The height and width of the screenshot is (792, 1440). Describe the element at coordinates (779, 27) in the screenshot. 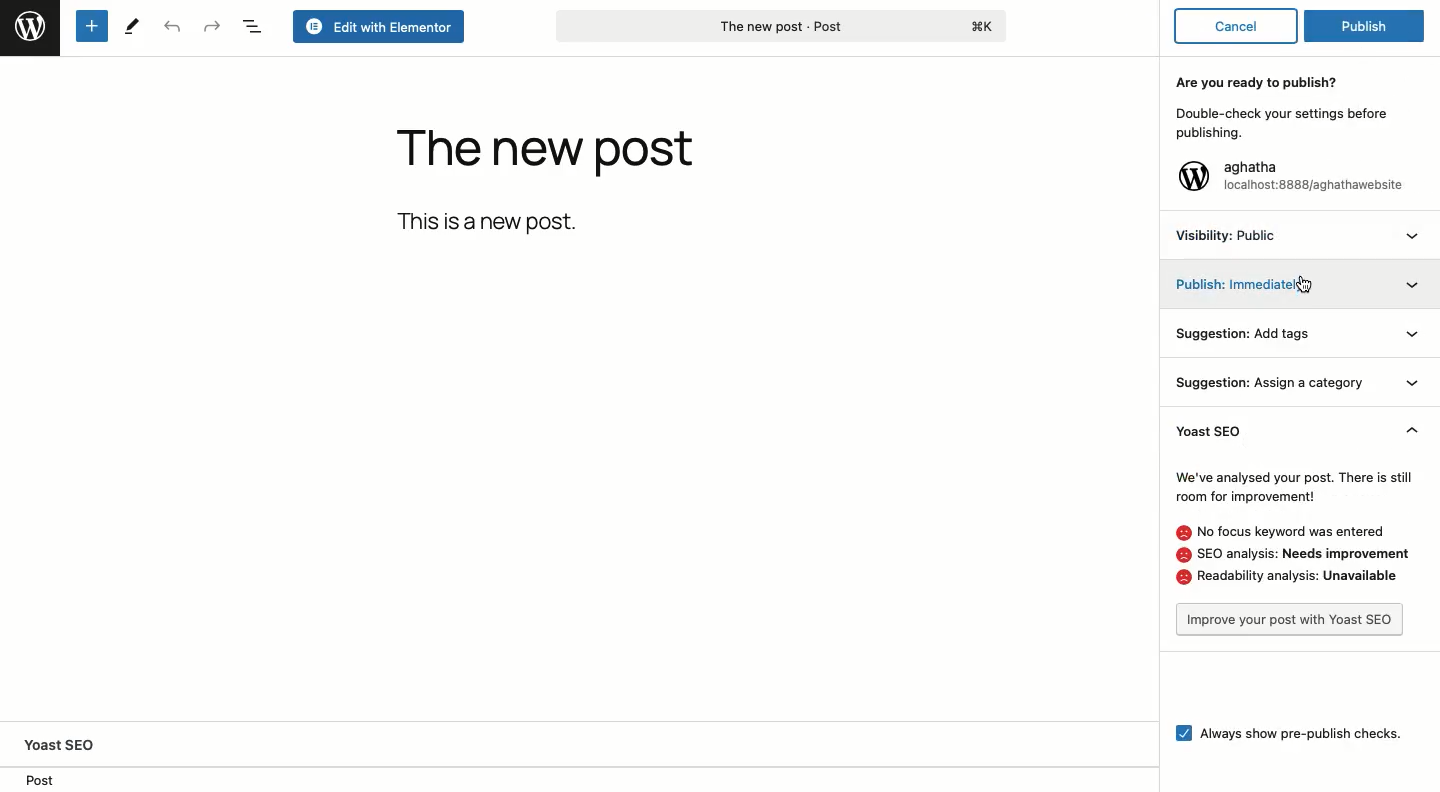

I see `The new post - Post` at that location.